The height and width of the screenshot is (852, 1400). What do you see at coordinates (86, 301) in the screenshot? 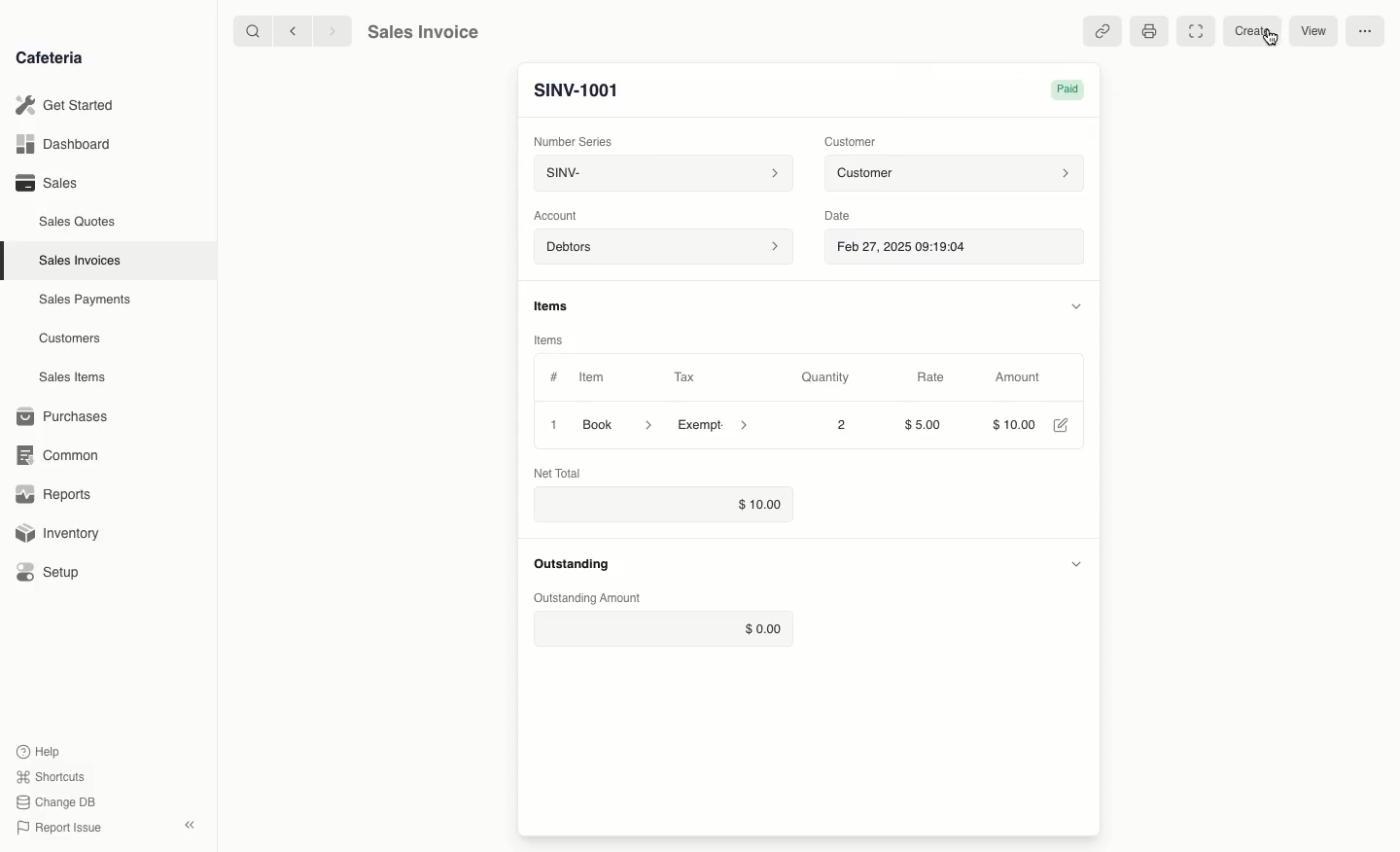
I see `Sales Payments` at bounding box center [86, 301].